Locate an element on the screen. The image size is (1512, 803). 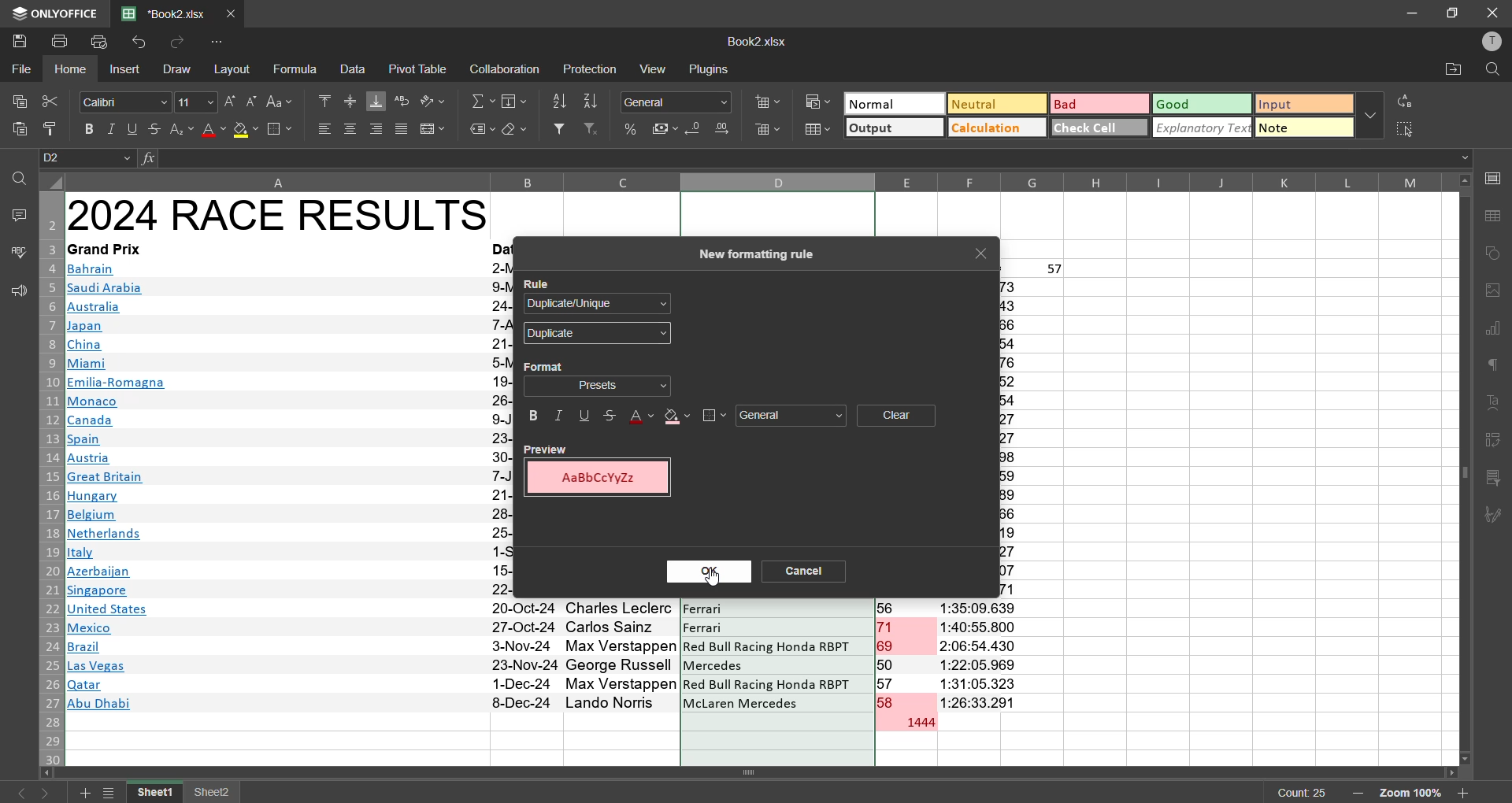
cell address is located at coordinates (89, 158).